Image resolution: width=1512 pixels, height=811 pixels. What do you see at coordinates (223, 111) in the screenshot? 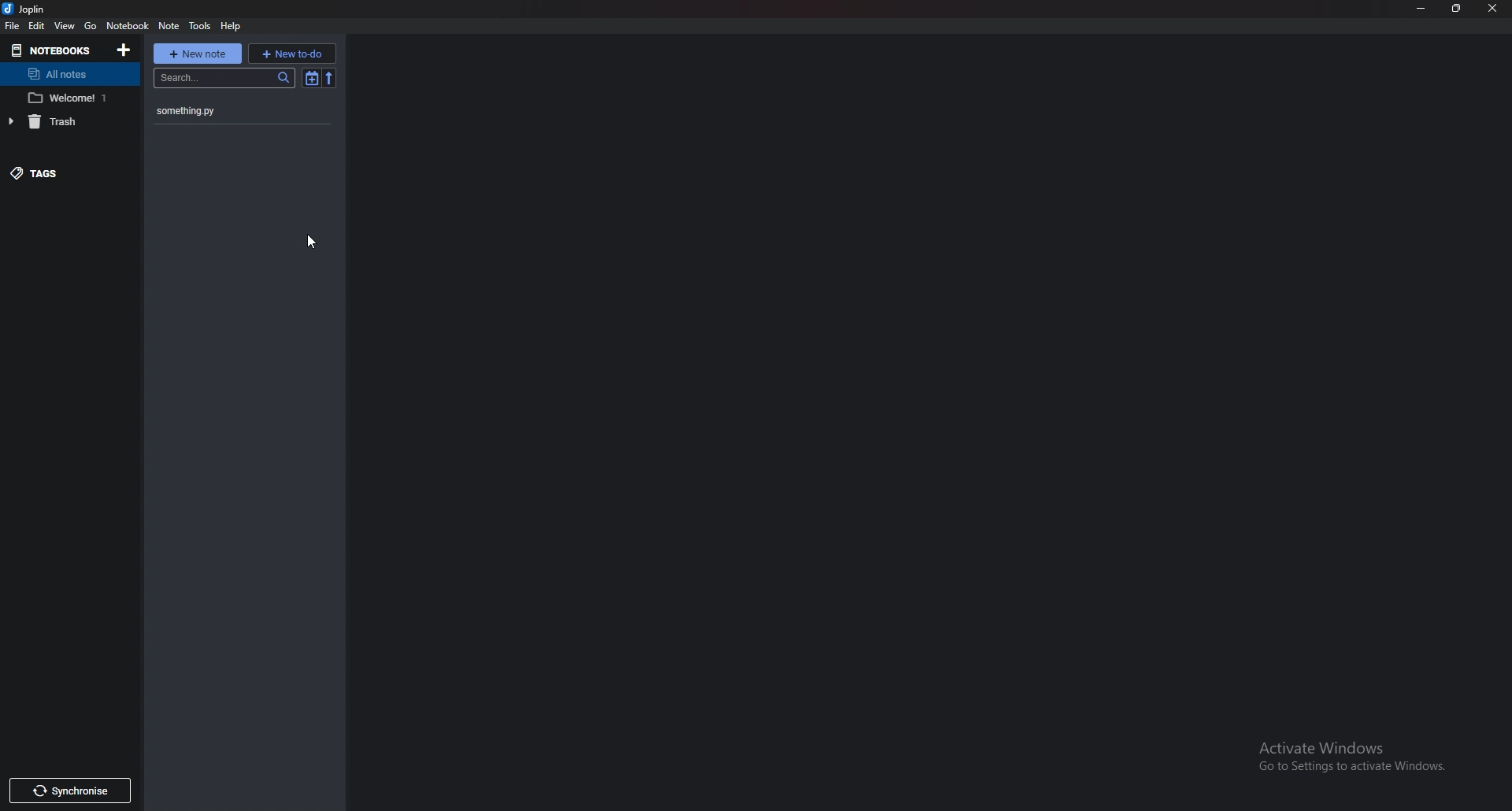
I see `note` at bounding box center [223, 111].